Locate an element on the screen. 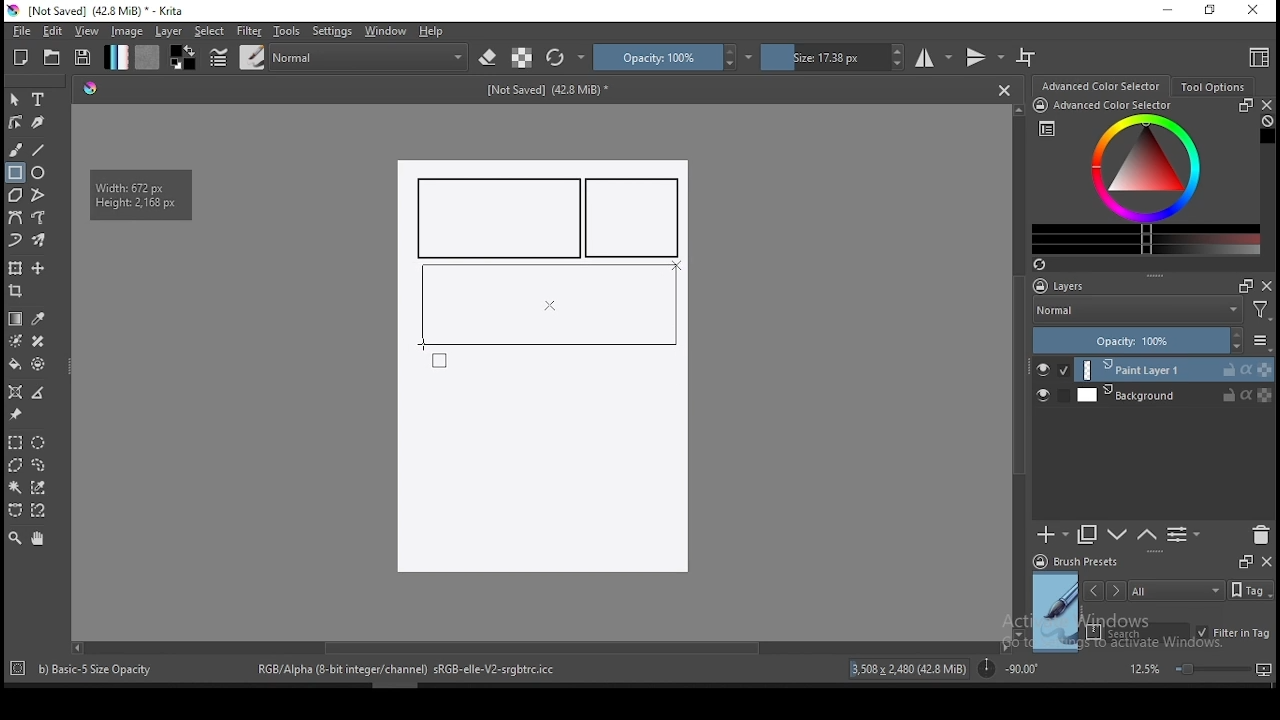 The width and height of the screenshot is (1280, 720). new rectangle is located at coordinates (500, 218).